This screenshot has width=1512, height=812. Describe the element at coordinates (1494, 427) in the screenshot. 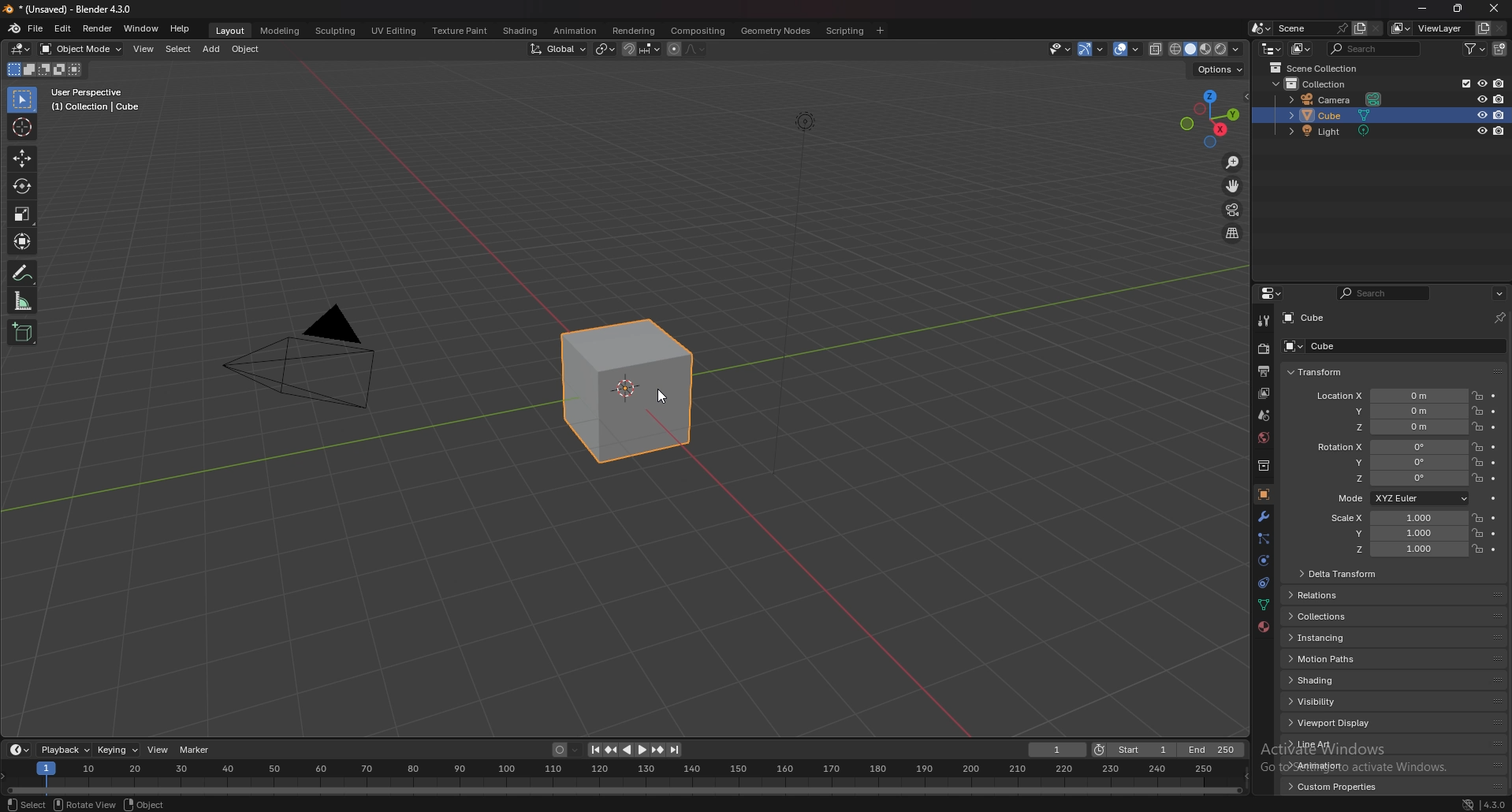

I see `animate property` at that location.